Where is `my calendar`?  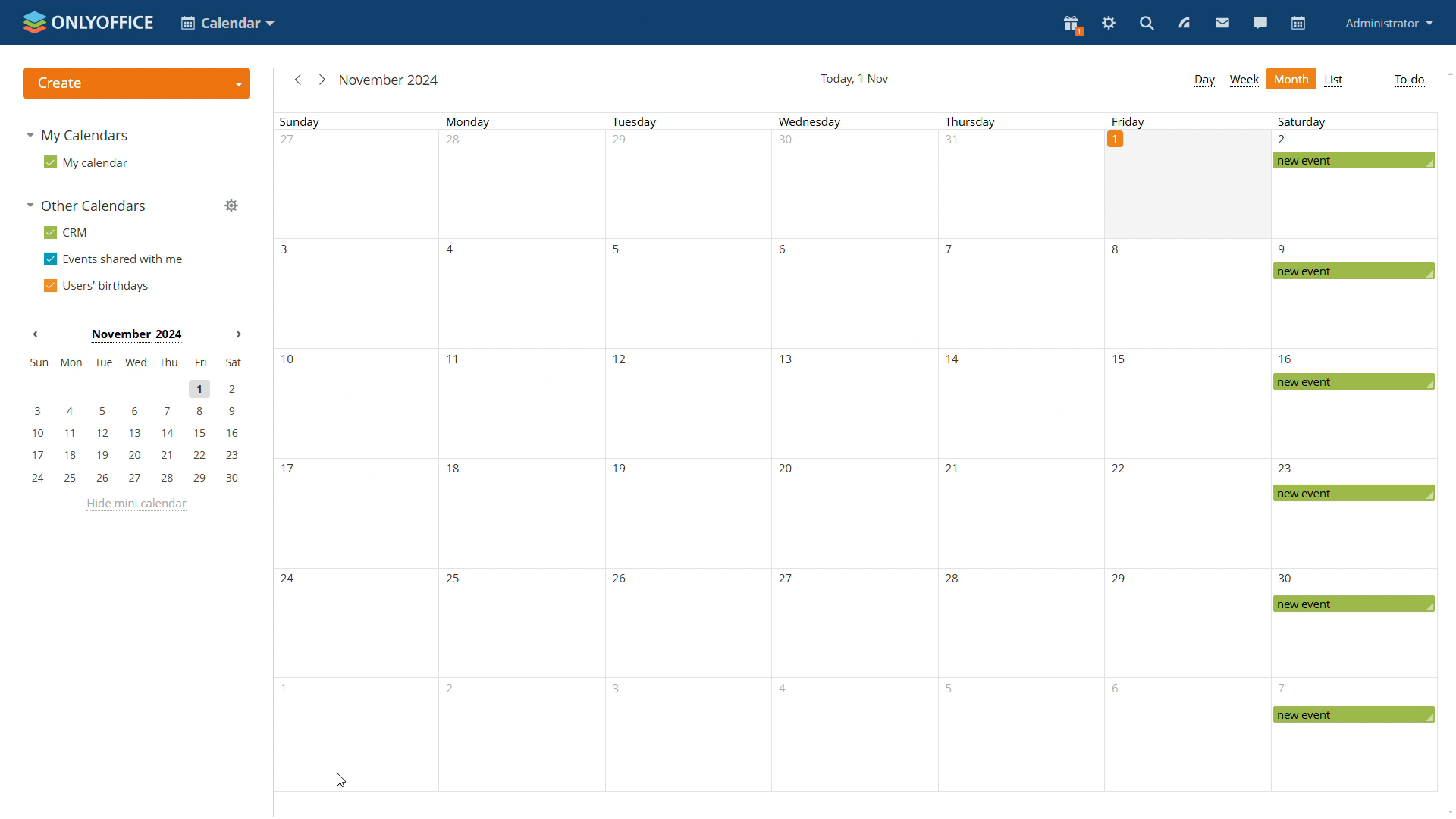 my calendar is located at coordinates (86, 162).